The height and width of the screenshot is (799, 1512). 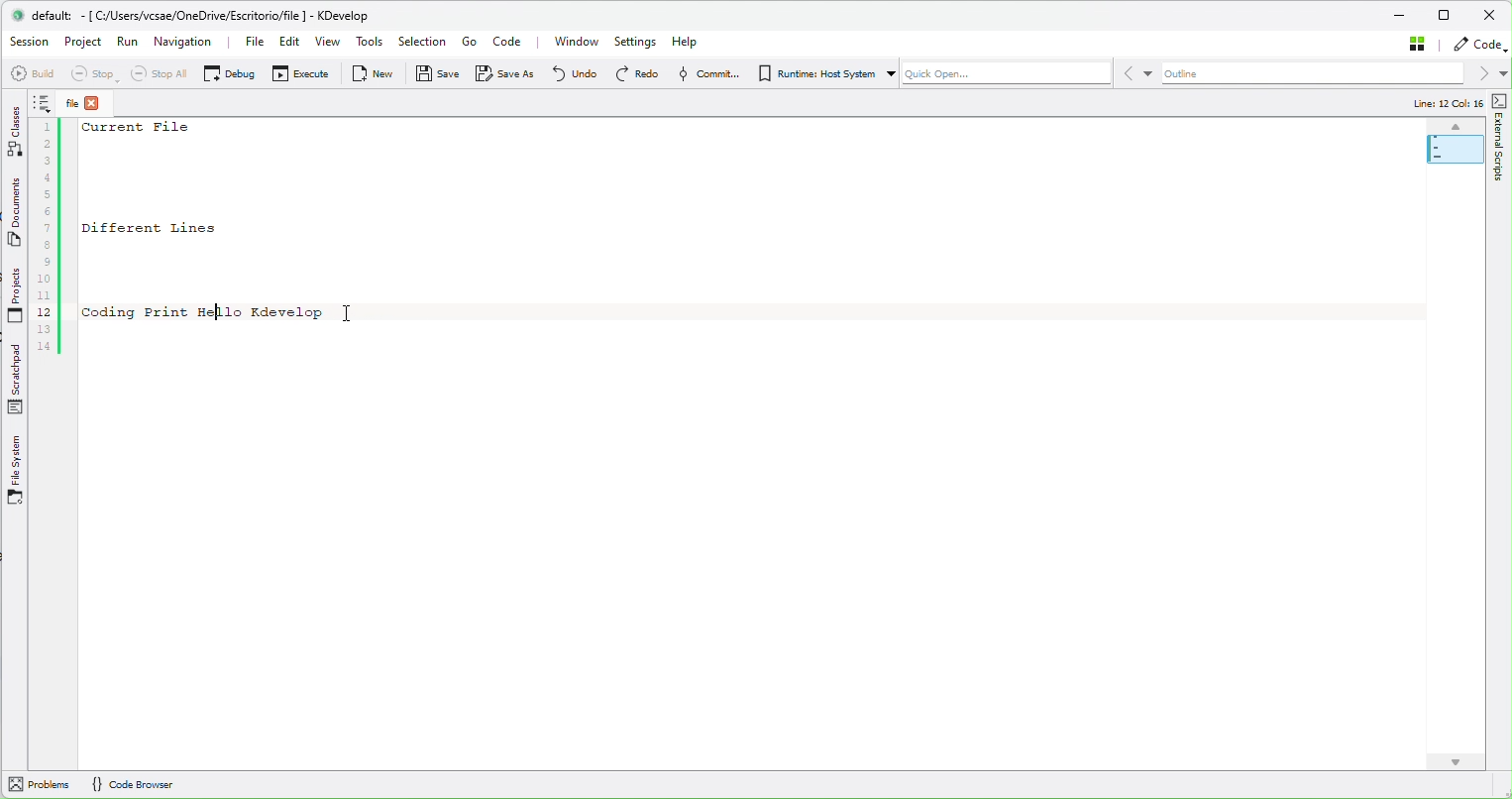 I want to click on Classes, so click(x=13, y=130).